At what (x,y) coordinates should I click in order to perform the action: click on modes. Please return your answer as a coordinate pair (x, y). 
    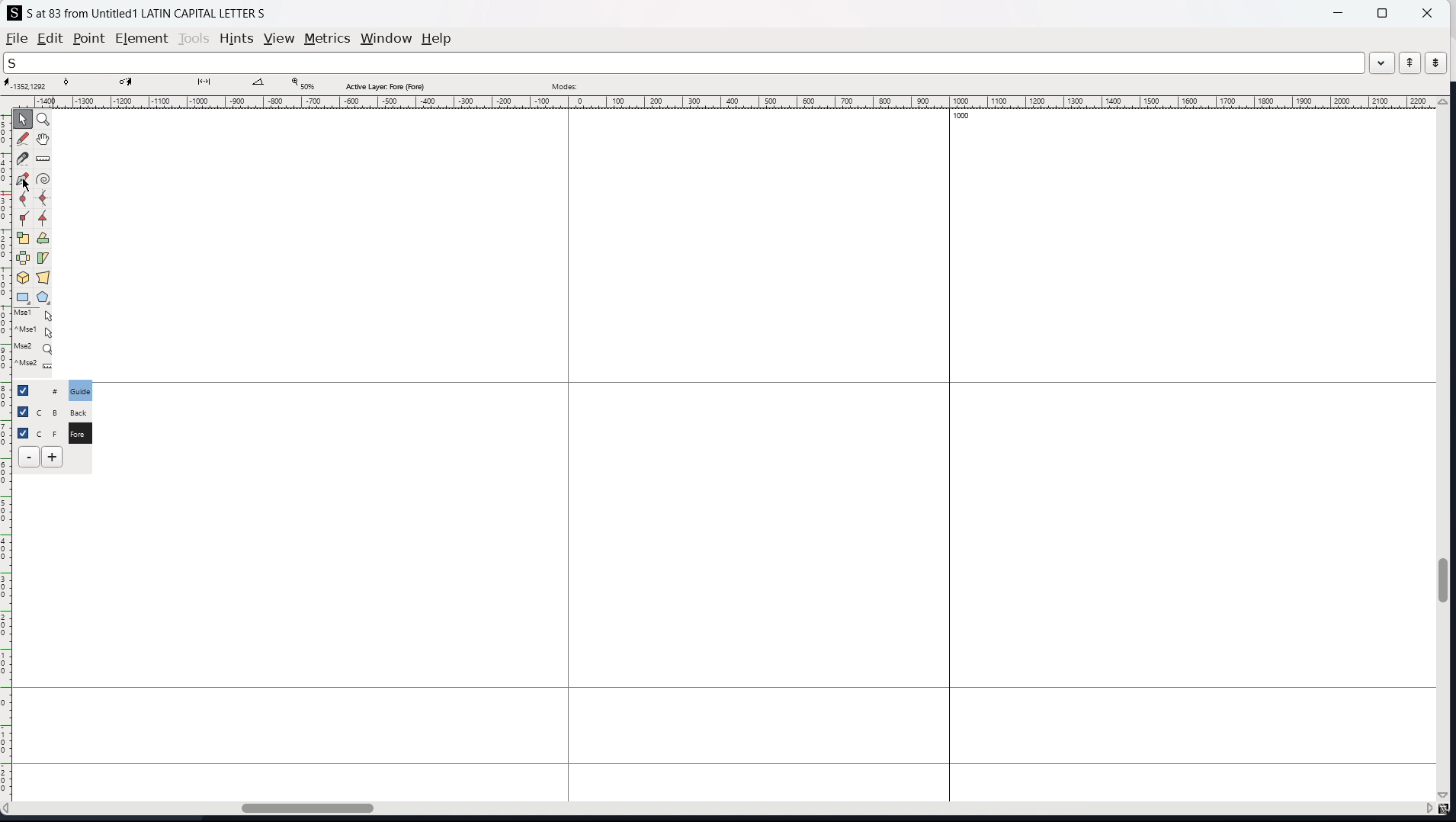
    Looking at the image, I should click on (564, 85).